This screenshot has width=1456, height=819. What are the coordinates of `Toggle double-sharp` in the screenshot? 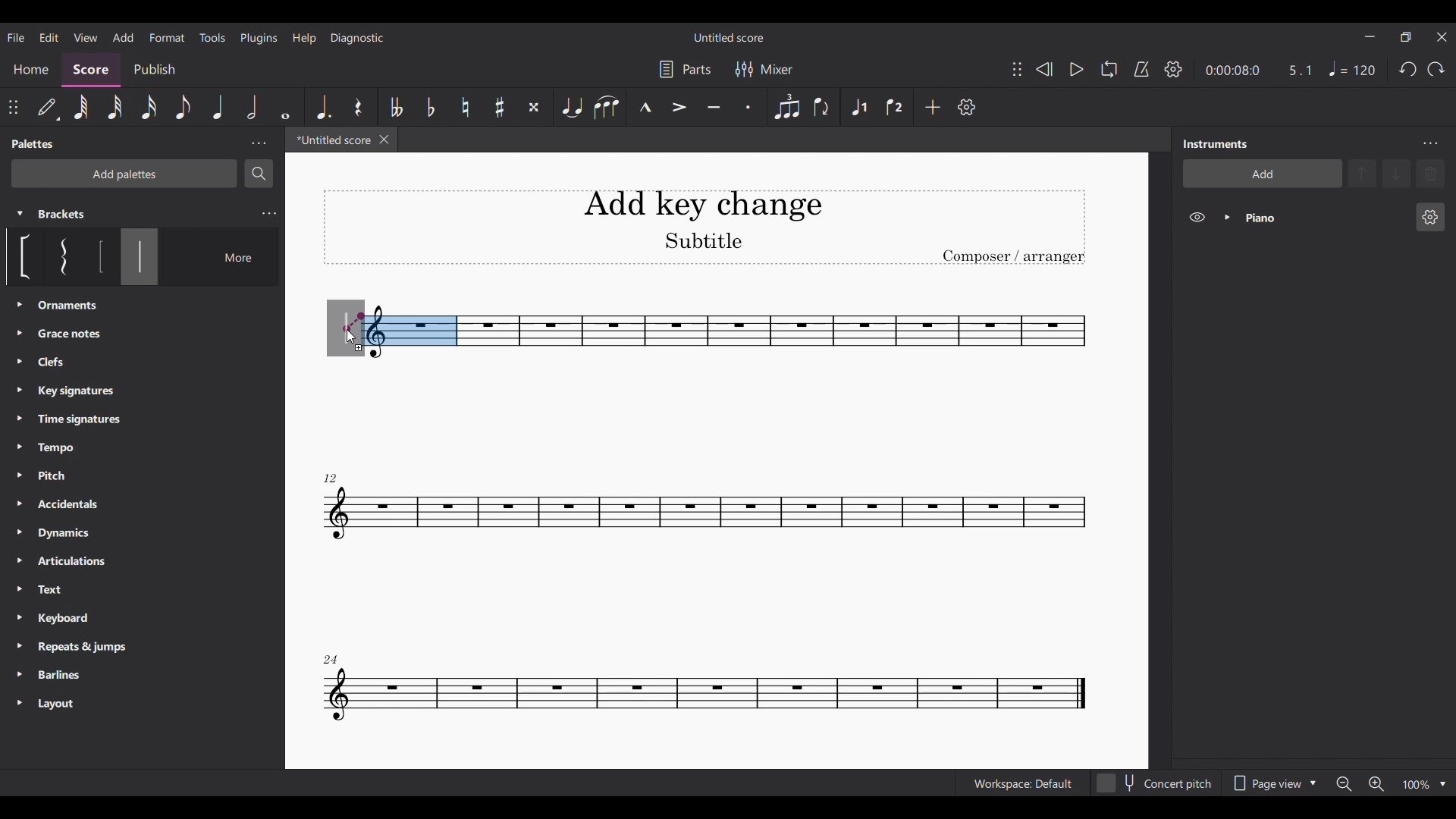 It's located at (534, 108).